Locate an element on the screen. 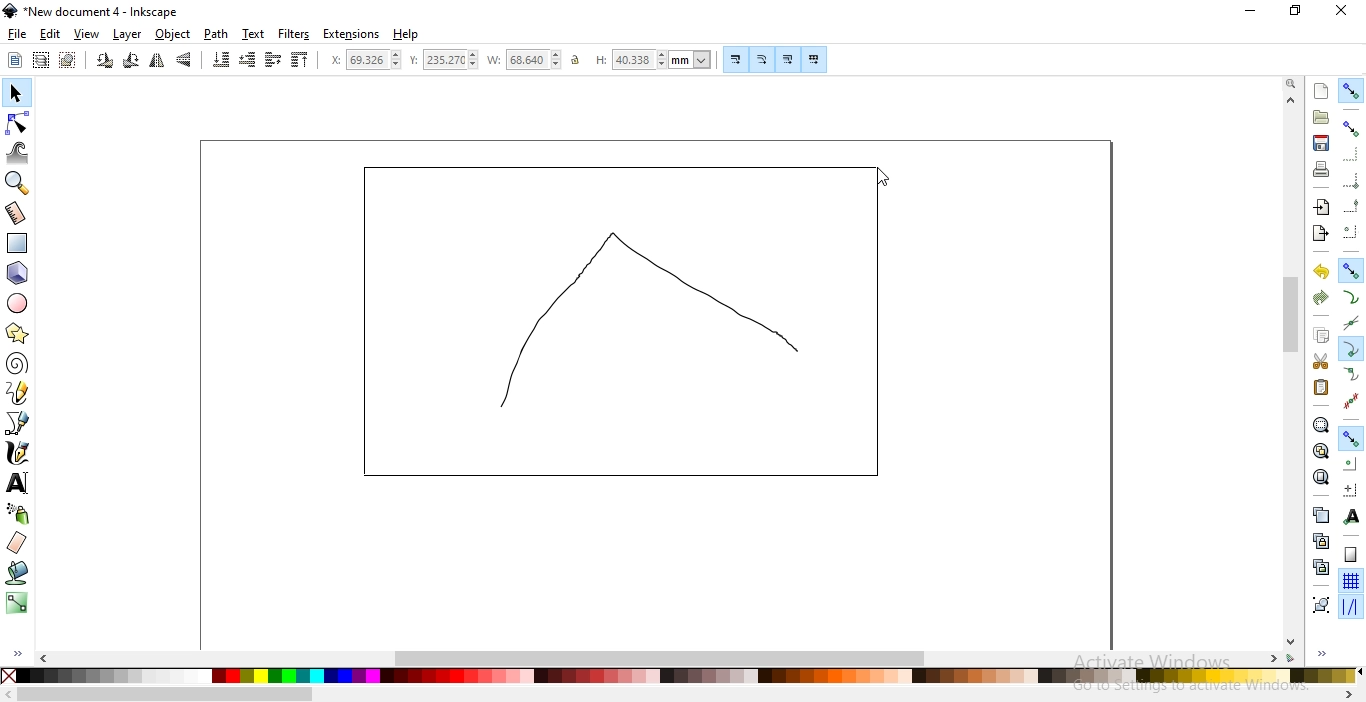 The height and width of the screenshot is (702, 1366). object image is located at coordinates (623, 322).